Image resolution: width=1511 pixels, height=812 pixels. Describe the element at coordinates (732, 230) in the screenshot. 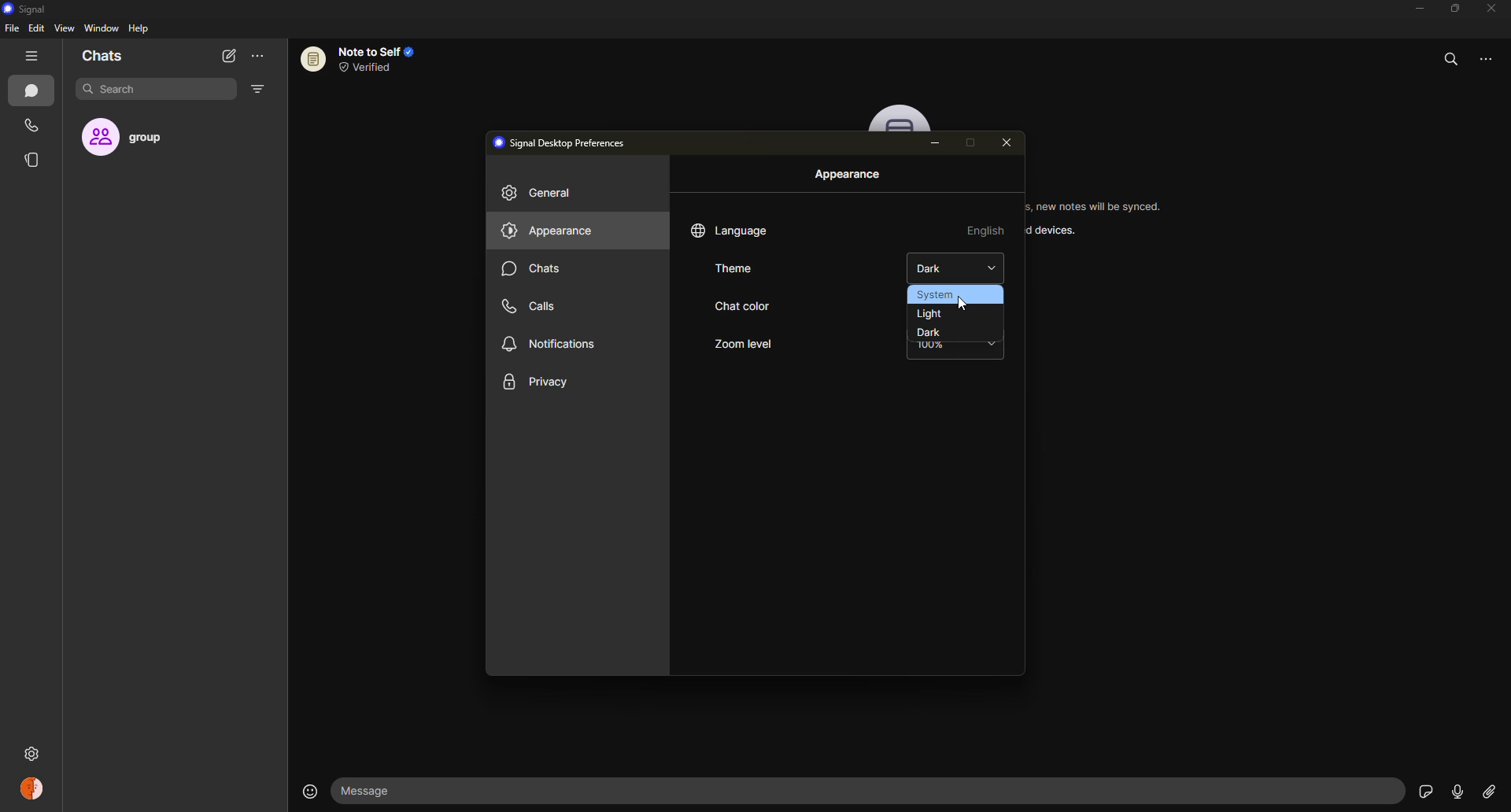

I see `language` at that location.